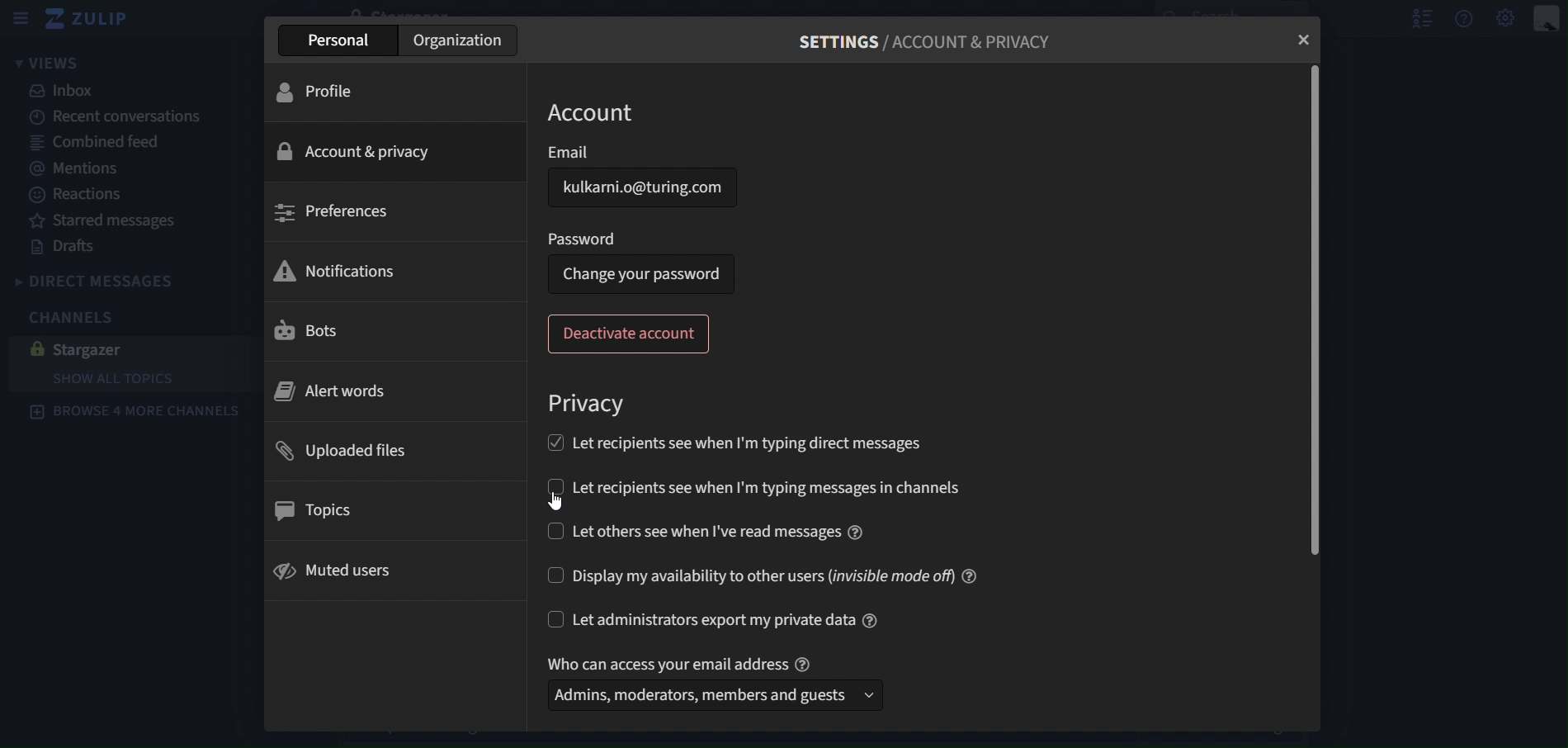  Describe the element at coordinates (333, 570) in the screenshot. I see `muted users` at that location.